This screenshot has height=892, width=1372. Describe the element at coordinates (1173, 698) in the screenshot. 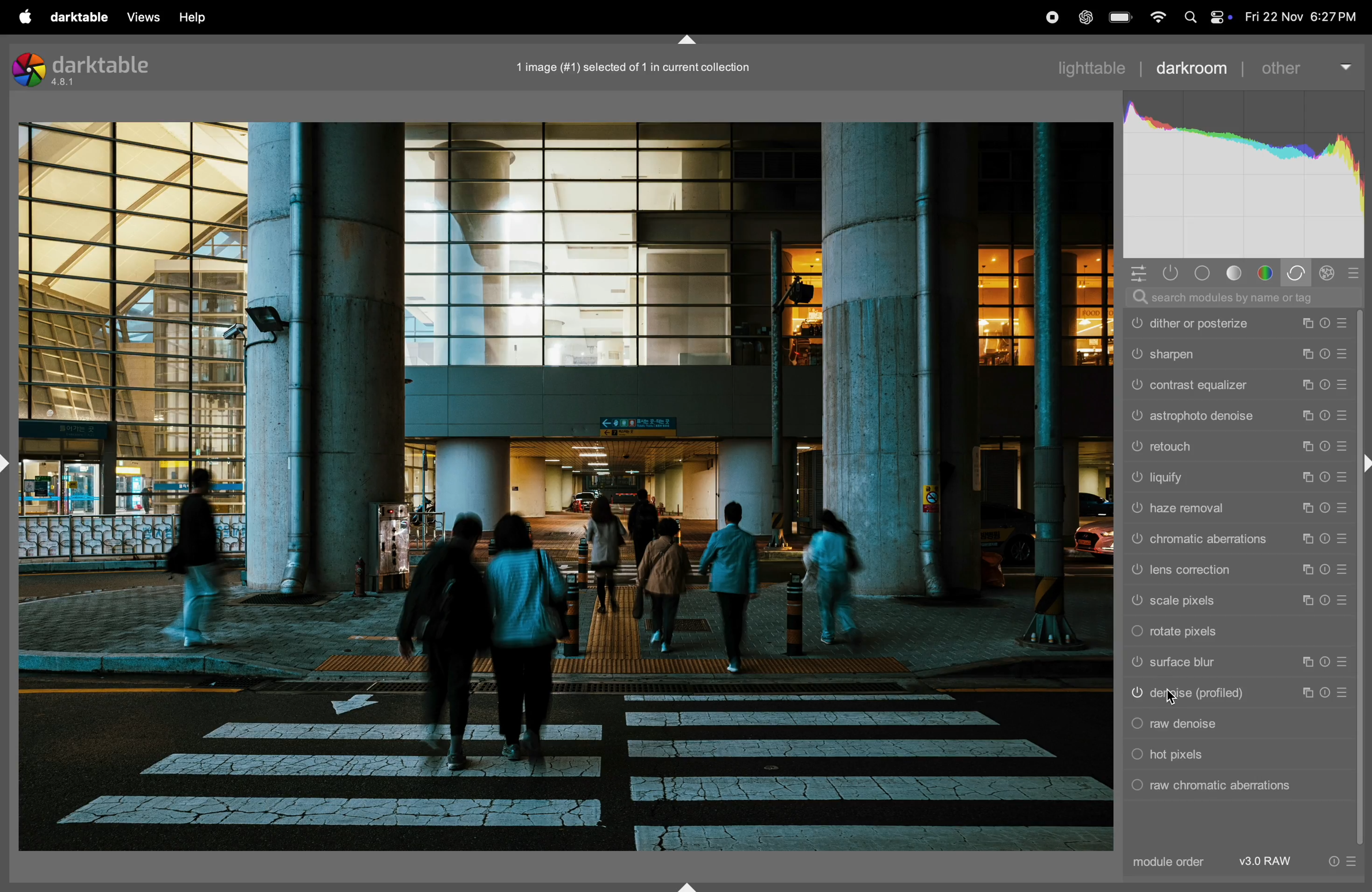

I see `cursor` at that location.